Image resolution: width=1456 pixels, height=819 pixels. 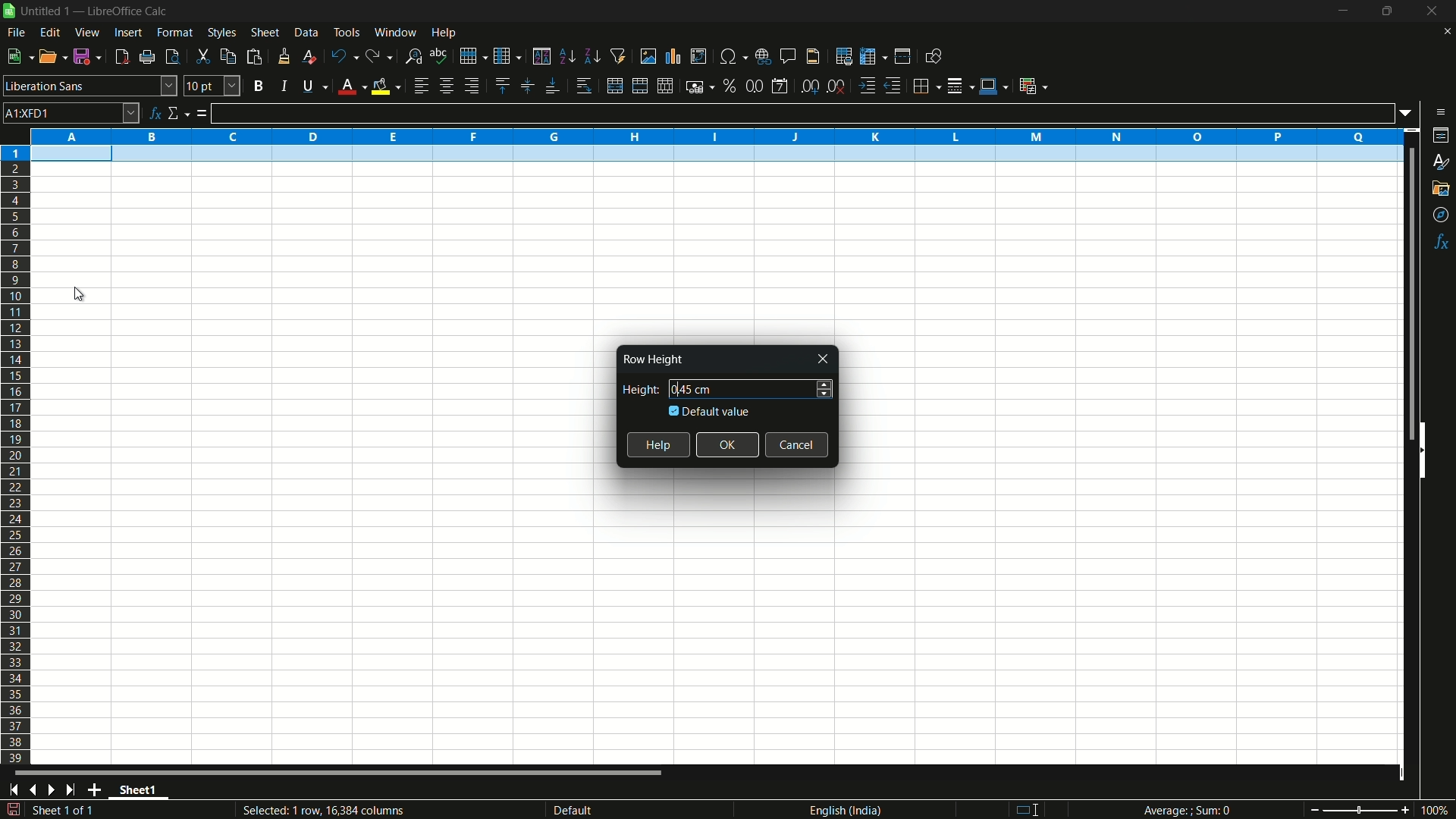 I want to click on undo, so click(x=341, y=55).